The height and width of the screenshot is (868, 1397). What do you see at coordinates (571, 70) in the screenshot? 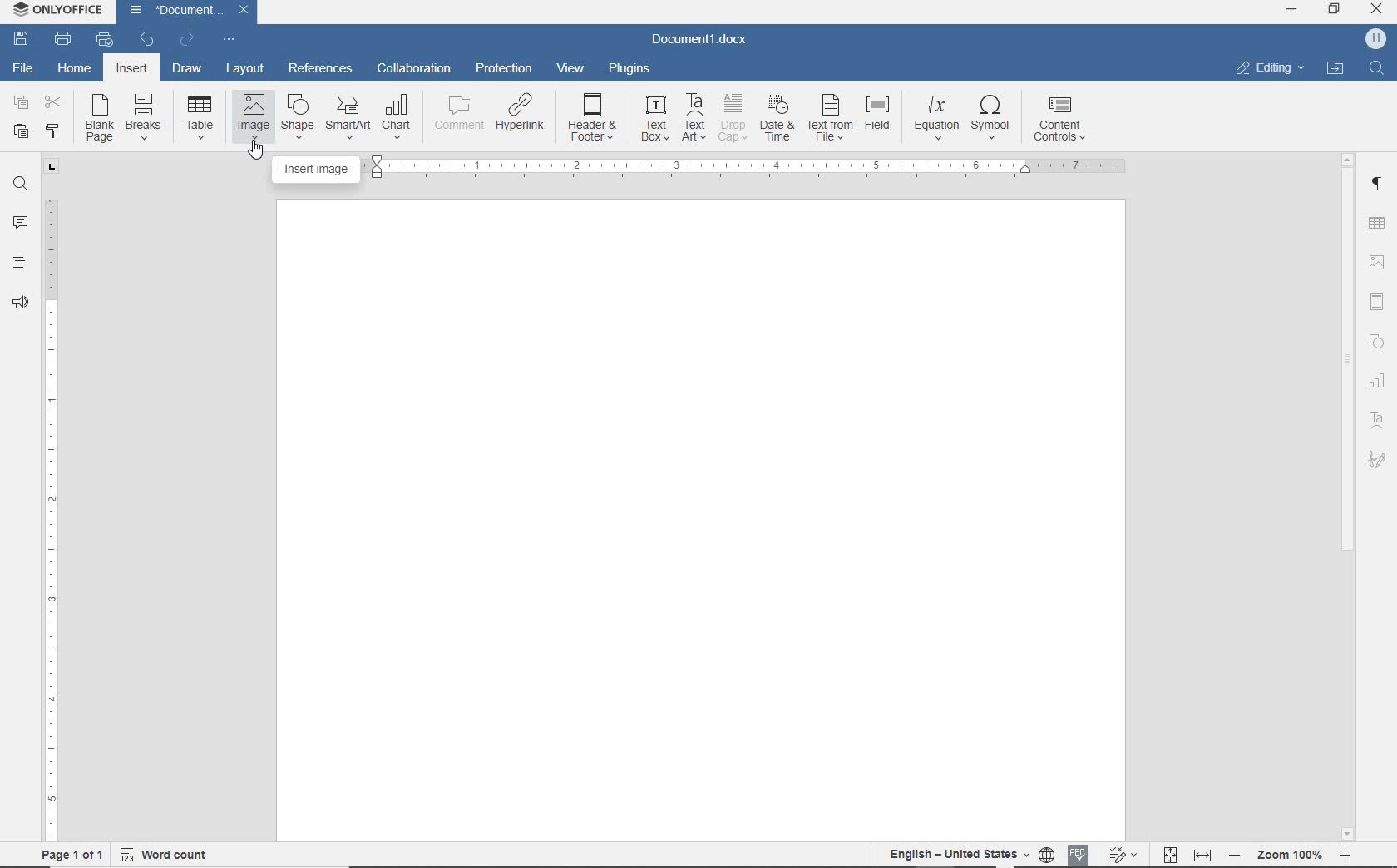
I see `view` at bounding box center [571, 70].